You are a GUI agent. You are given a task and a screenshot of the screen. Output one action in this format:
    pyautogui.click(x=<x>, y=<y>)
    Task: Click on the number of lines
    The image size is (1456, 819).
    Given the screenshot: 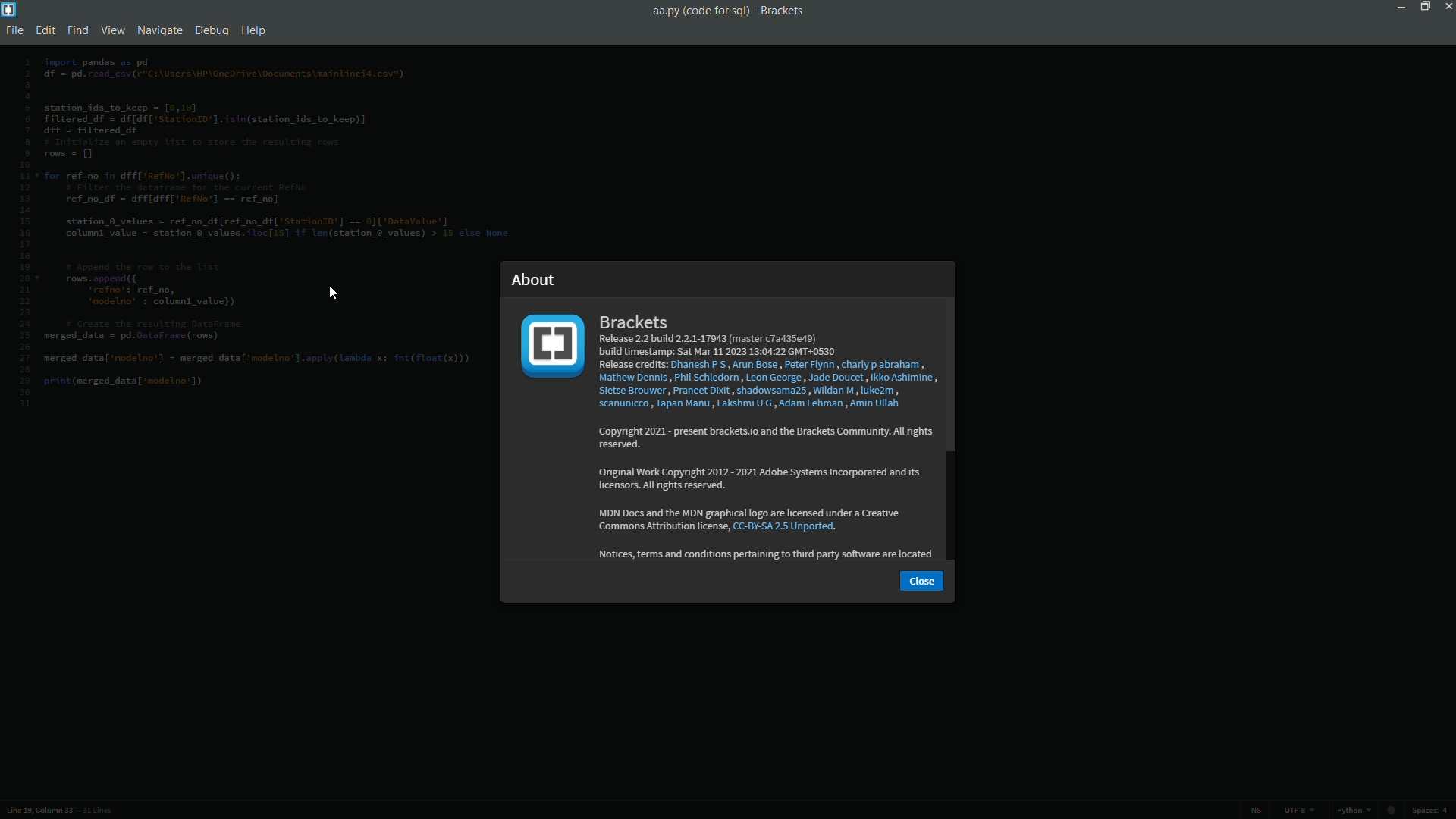 What is the action you would take?
    pyautogui.click(x=99, y=811)
    